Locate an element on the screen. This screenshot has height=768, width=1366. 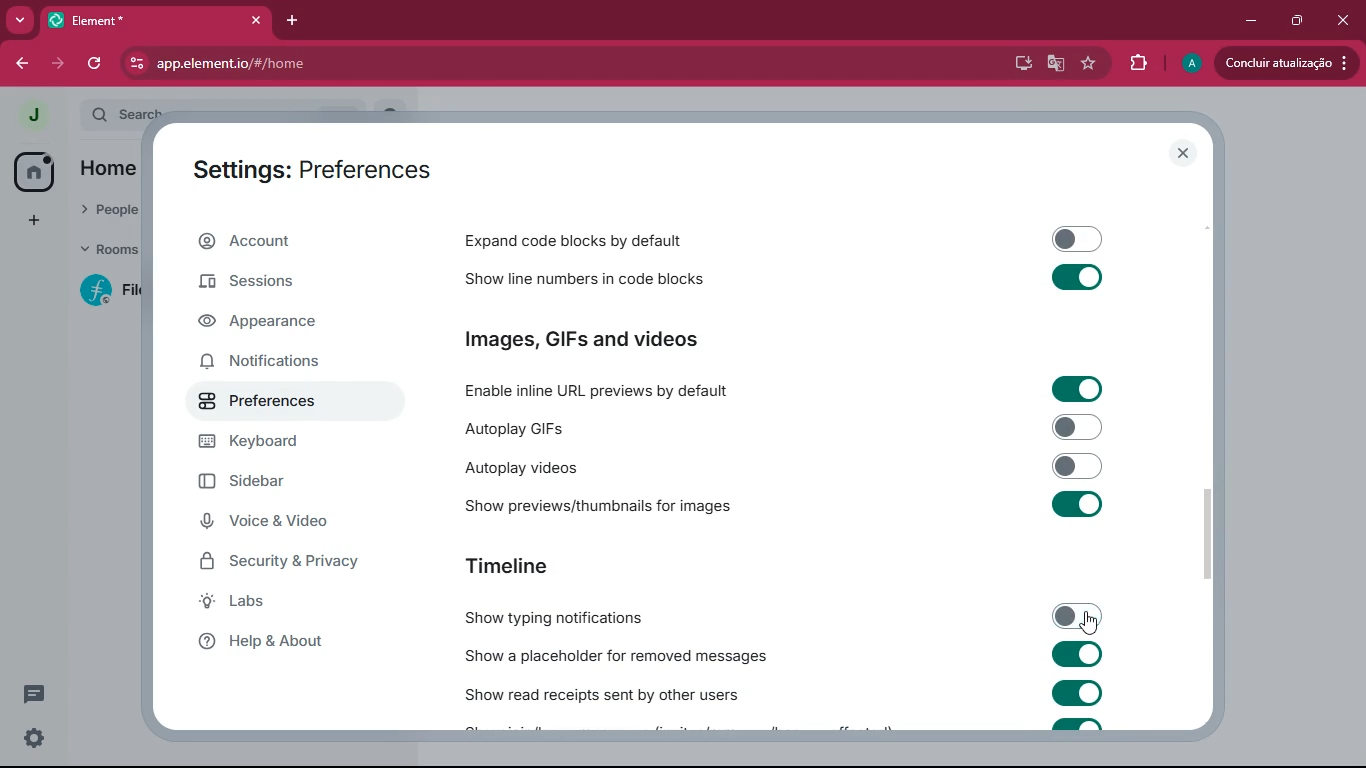
tab is located at coordinates (131, 20).